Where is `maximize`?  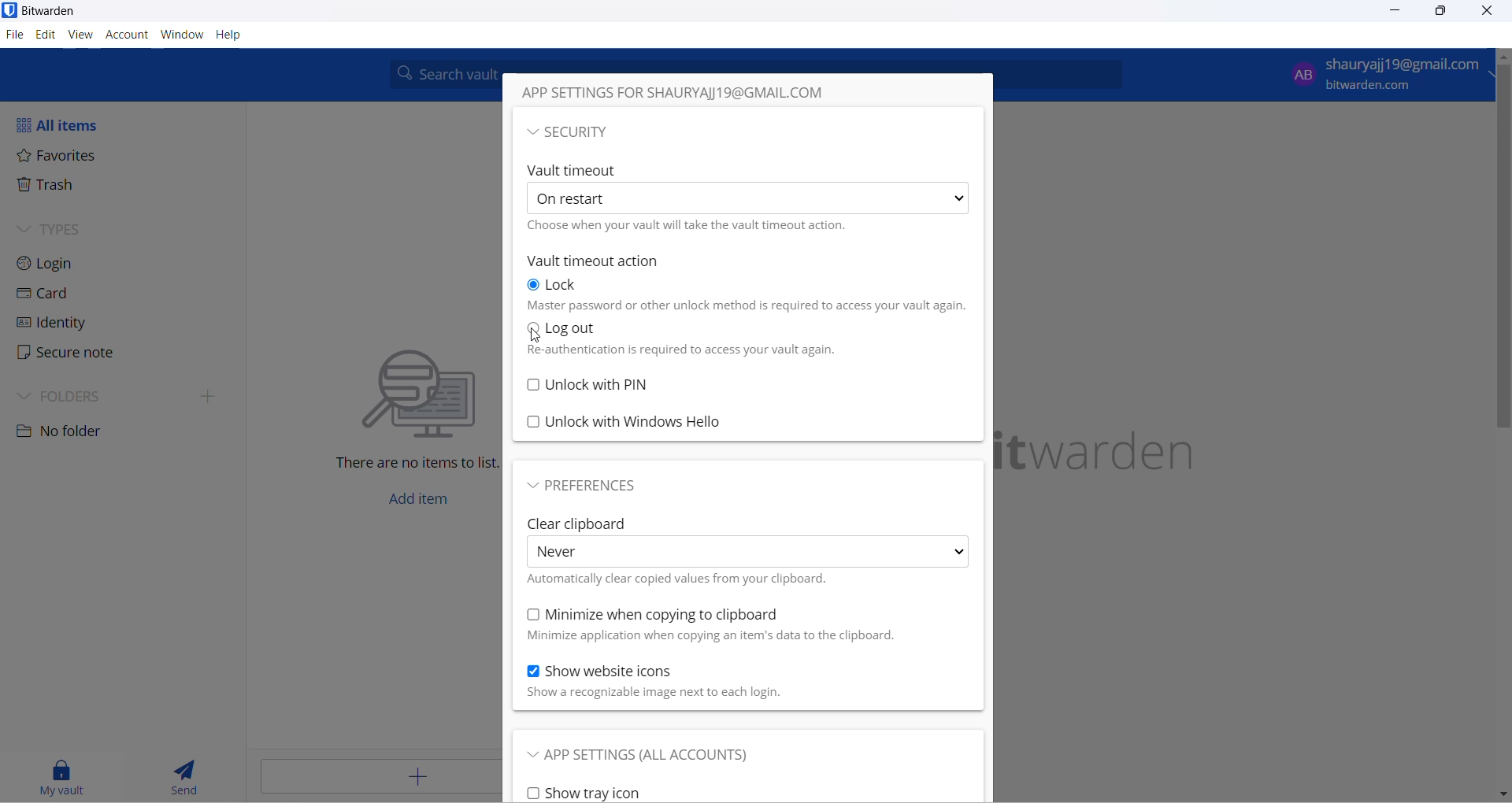 maximize is located at coordinates (1440, 13).